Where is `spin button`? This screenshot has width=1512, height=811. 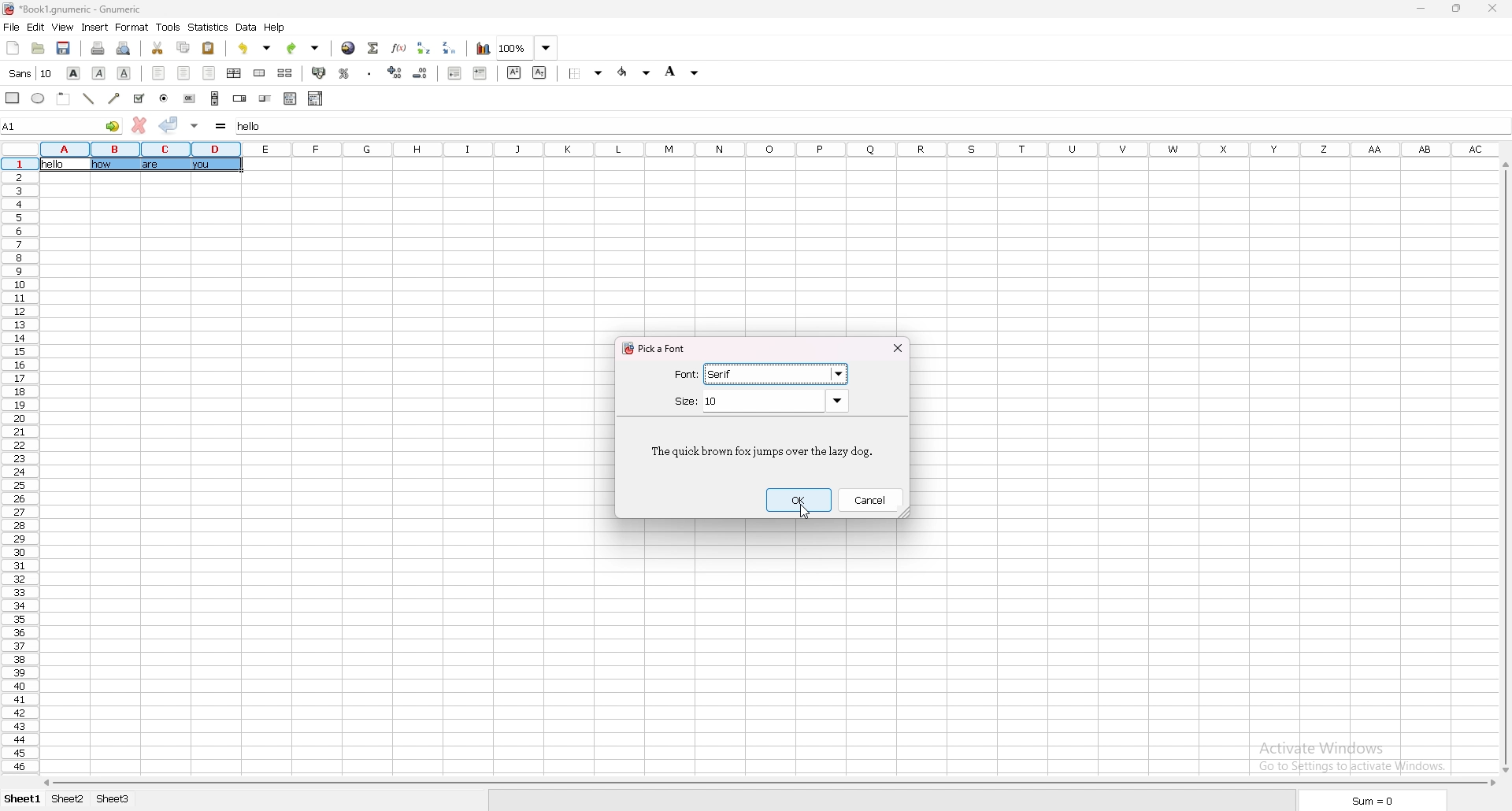 spin button is located at coordinates (239, 98).